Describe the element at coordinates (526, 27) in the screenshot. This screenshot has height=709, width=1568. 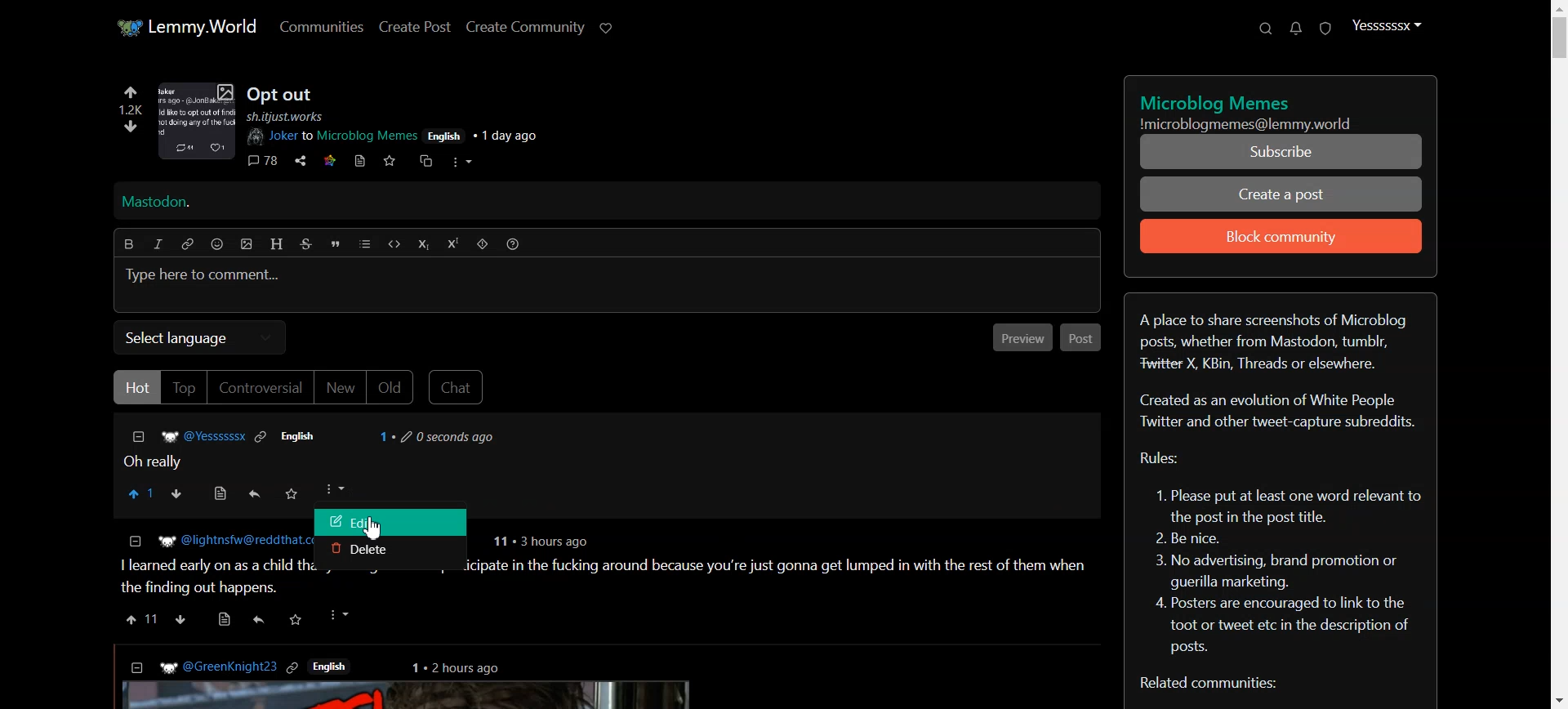
I see `Create Community` at that location.